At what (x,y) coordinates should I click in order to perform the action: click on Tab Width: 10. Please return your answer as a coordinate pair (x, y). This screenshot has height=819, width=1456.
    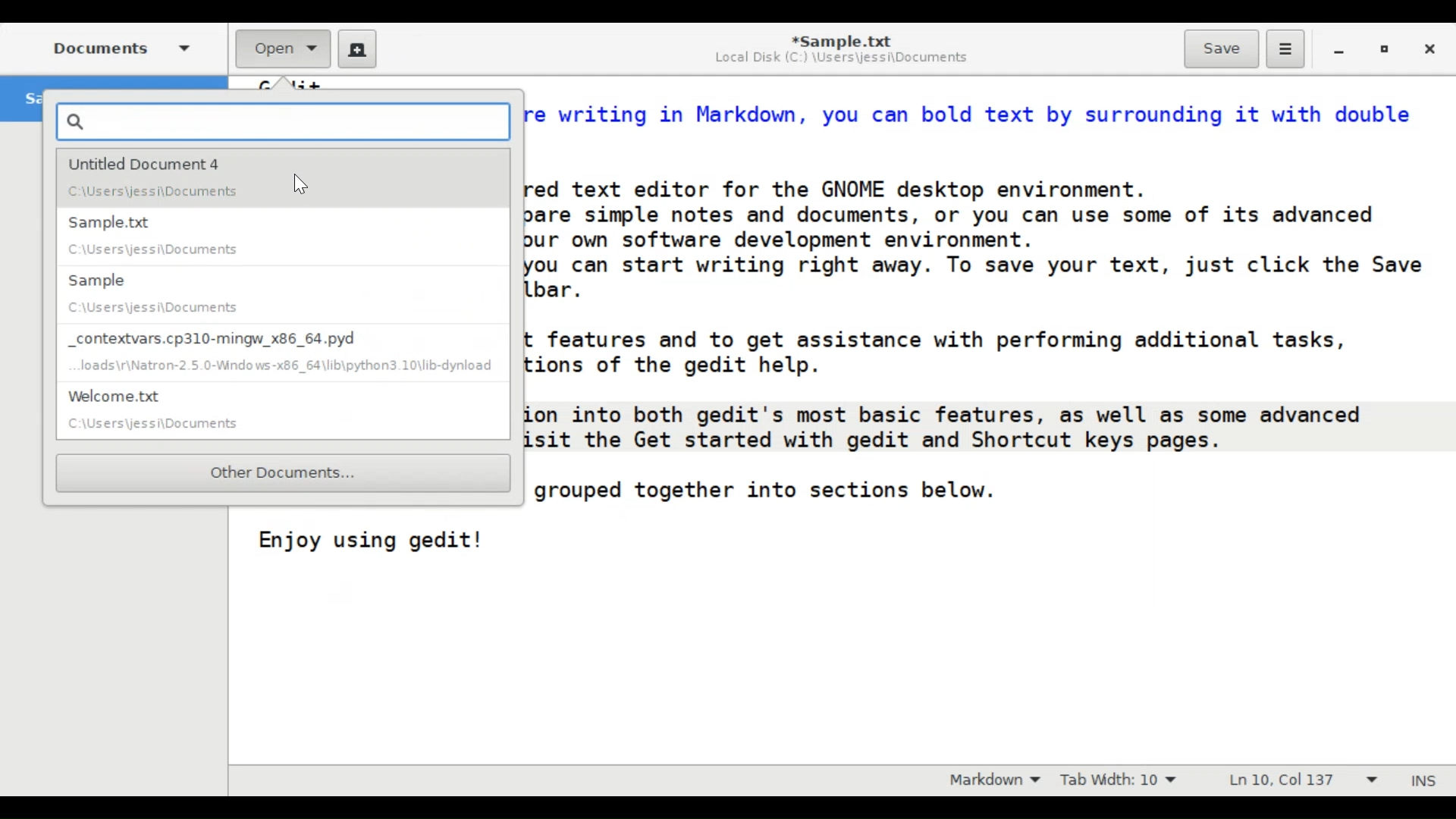
    Looking at the image, I should click on (1118, 779).